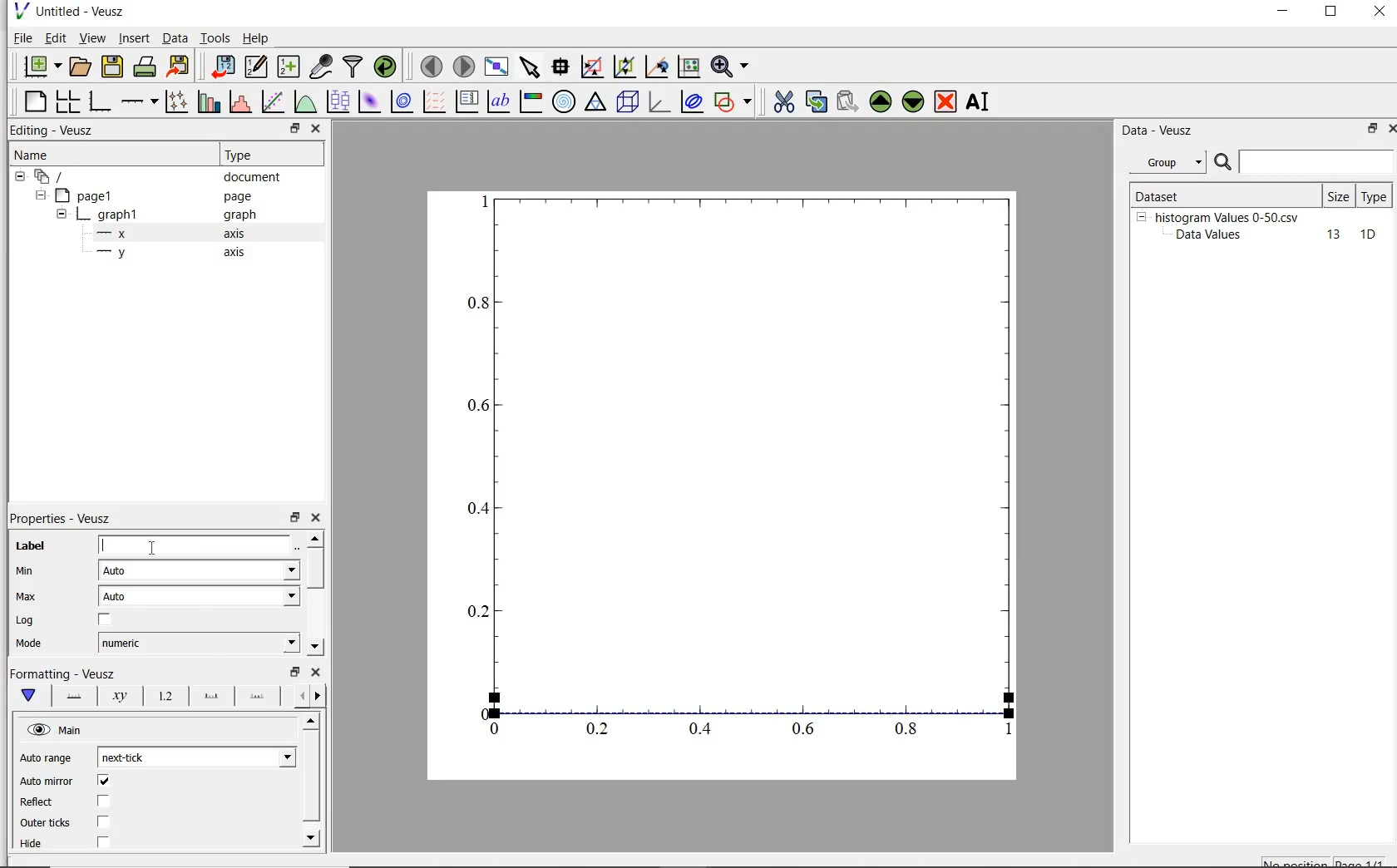 The image size is (1397, 868). Describe the element at coordinates (531, 65) in the screenshot. I see `select items from the graph scroll` at that location.